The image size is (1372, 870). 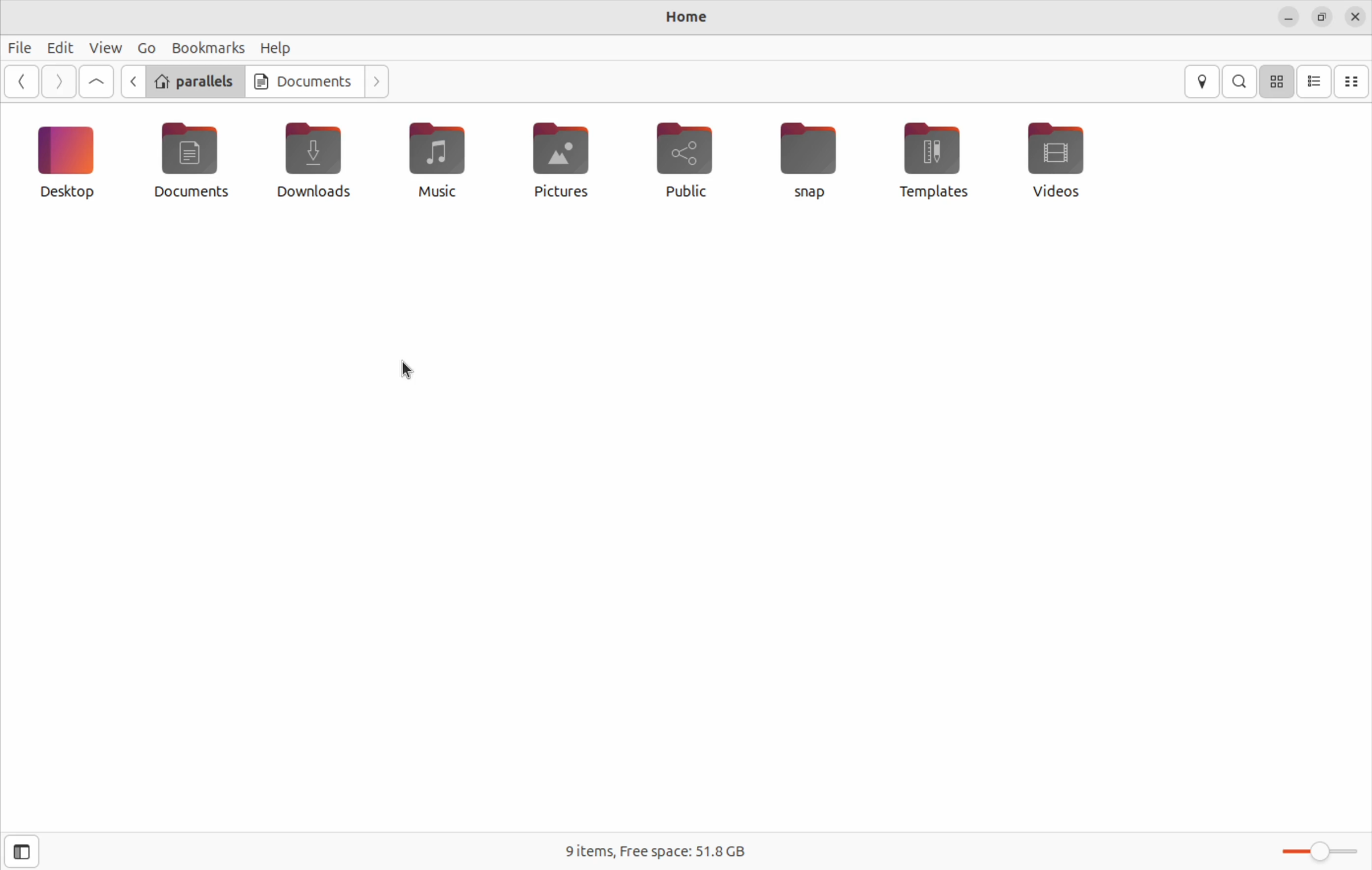 I want to click on previous, so click(x=19, y=81).